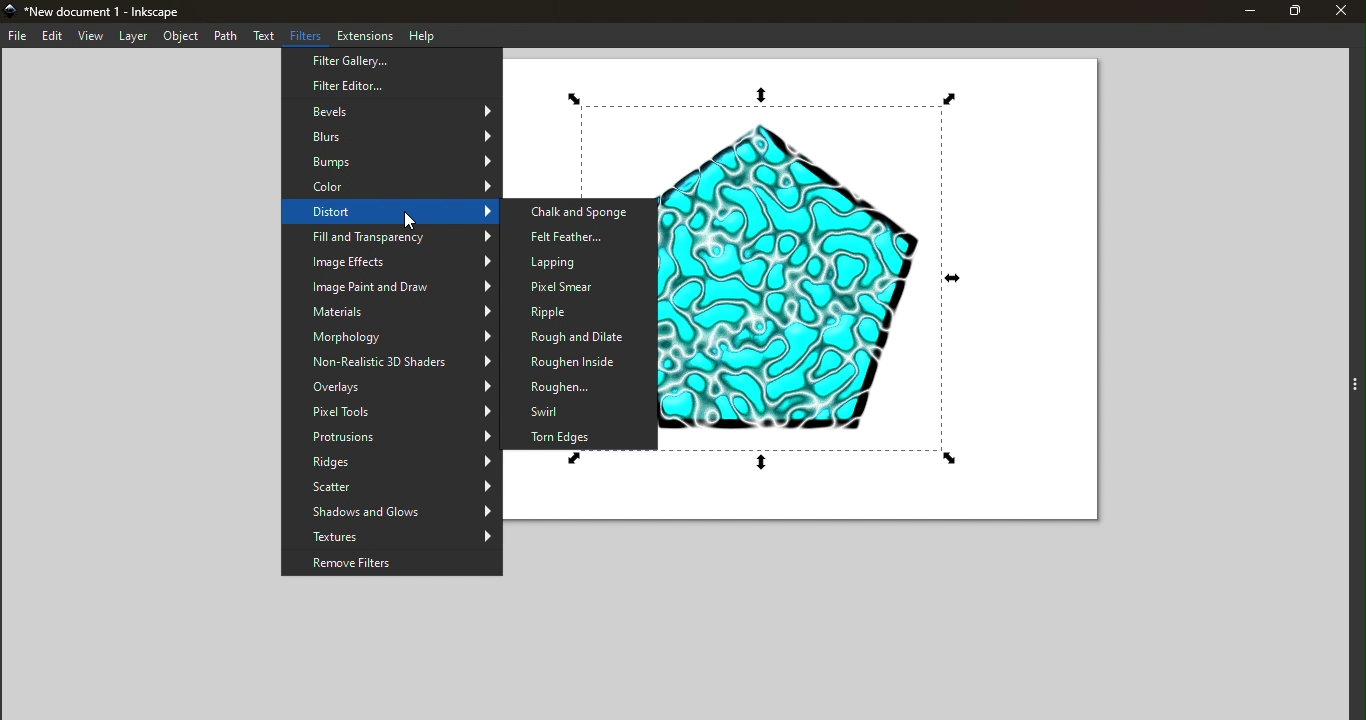 The image size is (1366, 720). What do you see at coordinates (390, 362) in the screenshot?
I see `Non-Realistic 3D Shaders` at bounding box center [390, 362].